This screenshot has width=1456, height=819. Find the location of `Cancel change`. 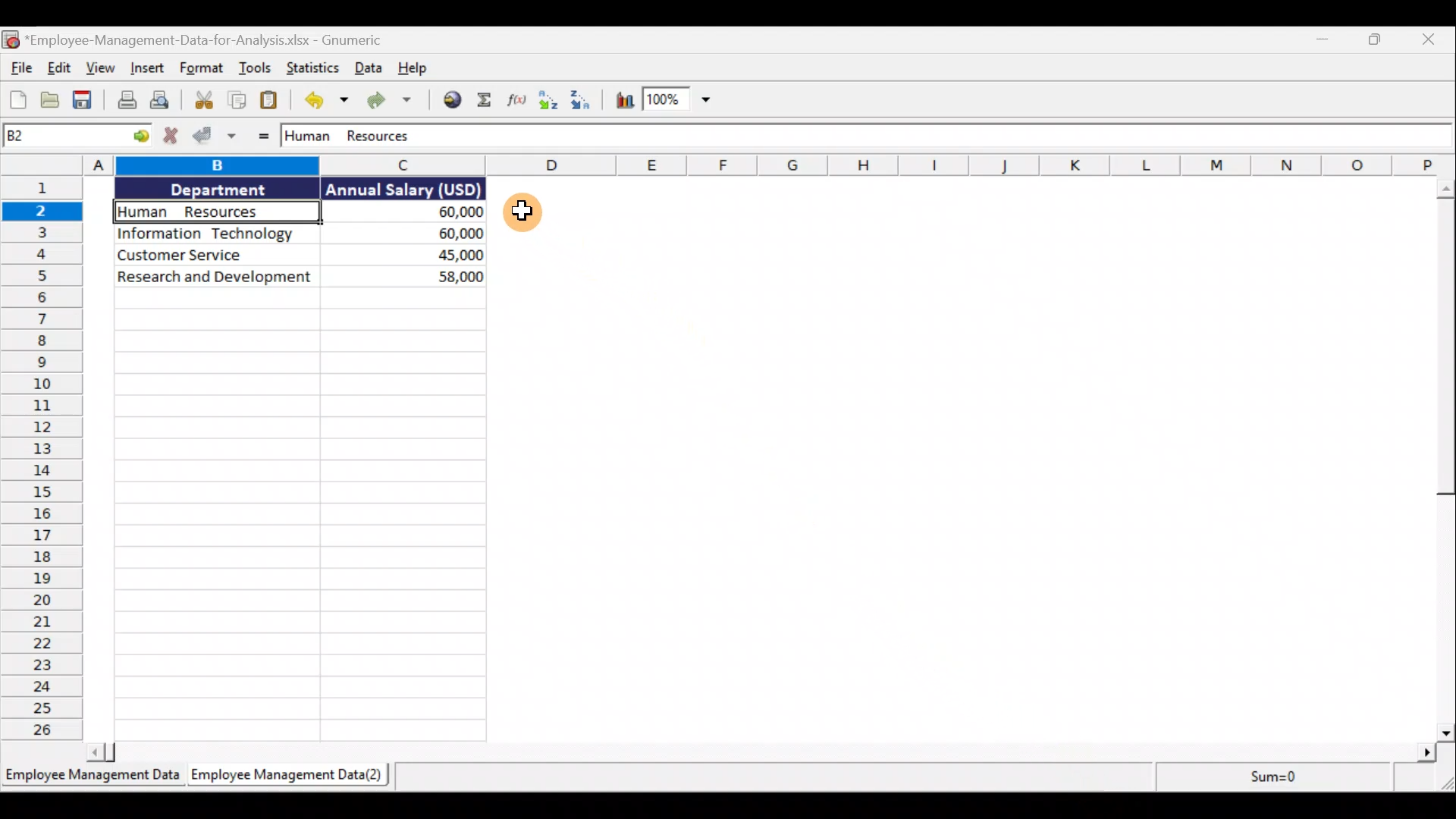

Cancel change is located at coordinates (175, 137).